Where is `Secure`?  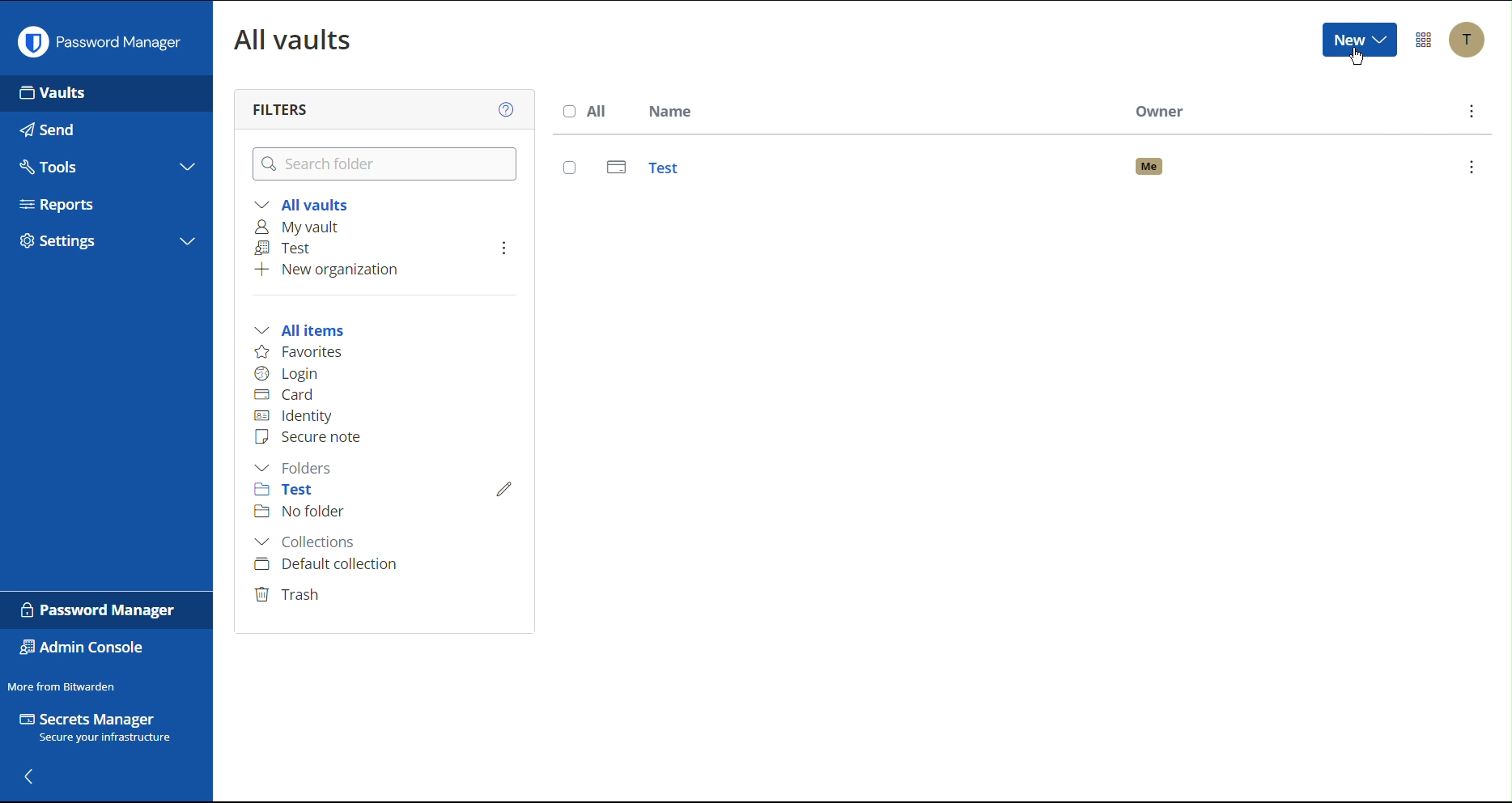
Secure is located at coordinates (312, 437).